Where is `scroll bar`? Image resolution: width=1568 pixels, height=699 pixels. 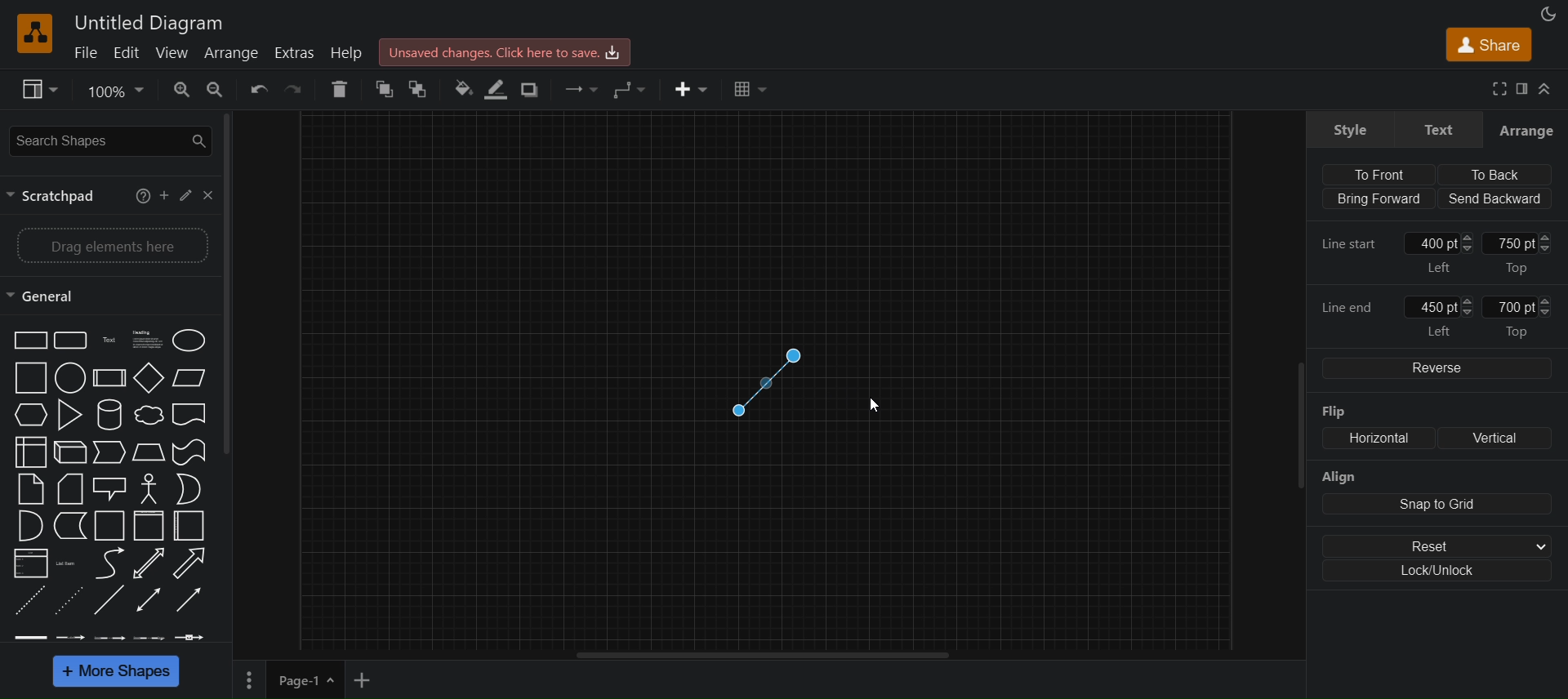
scroll bar is located at coordinates (1293, 435).